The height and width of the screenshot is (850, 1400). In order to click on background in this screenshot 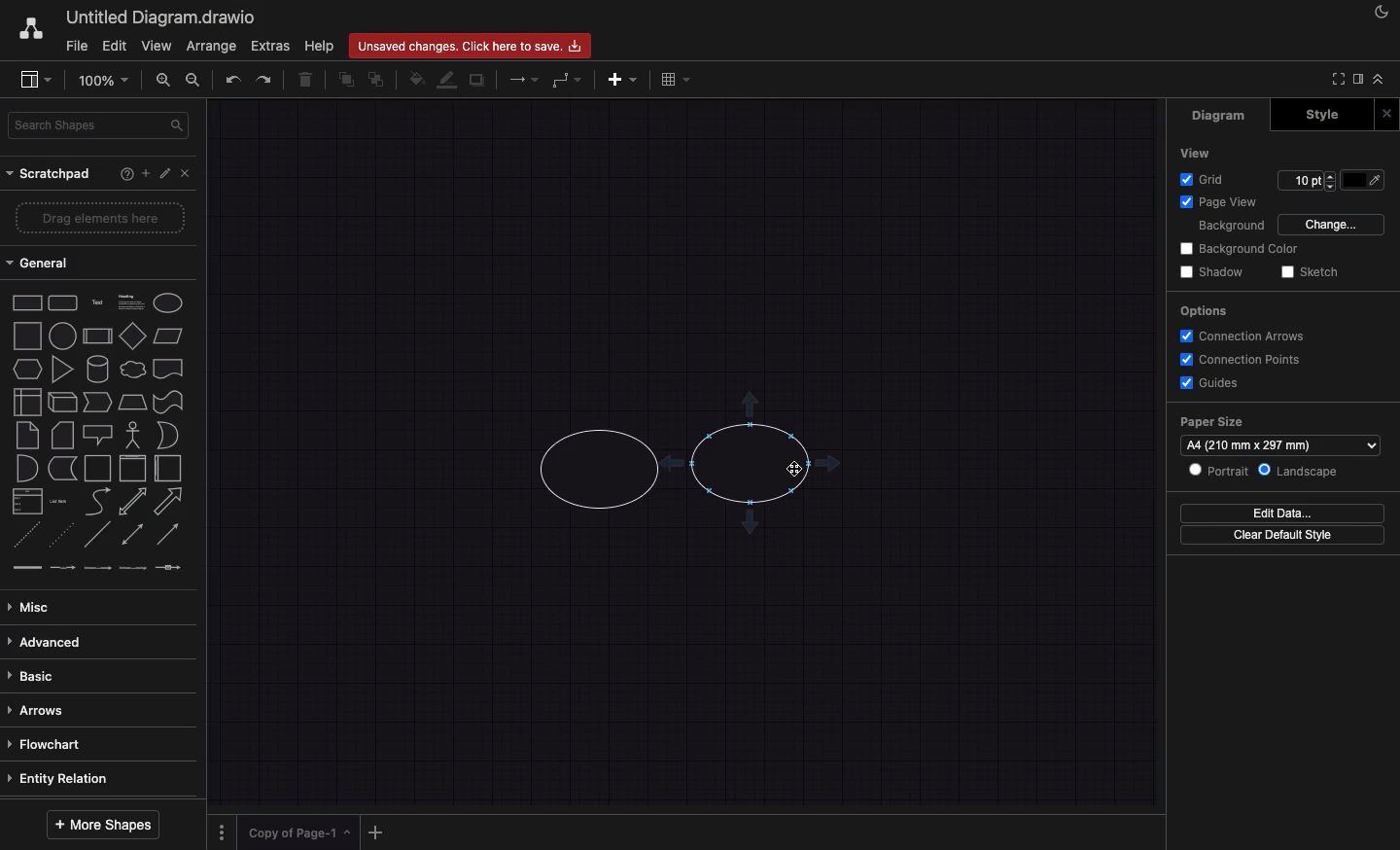, I will do `click(1232, 228)`.